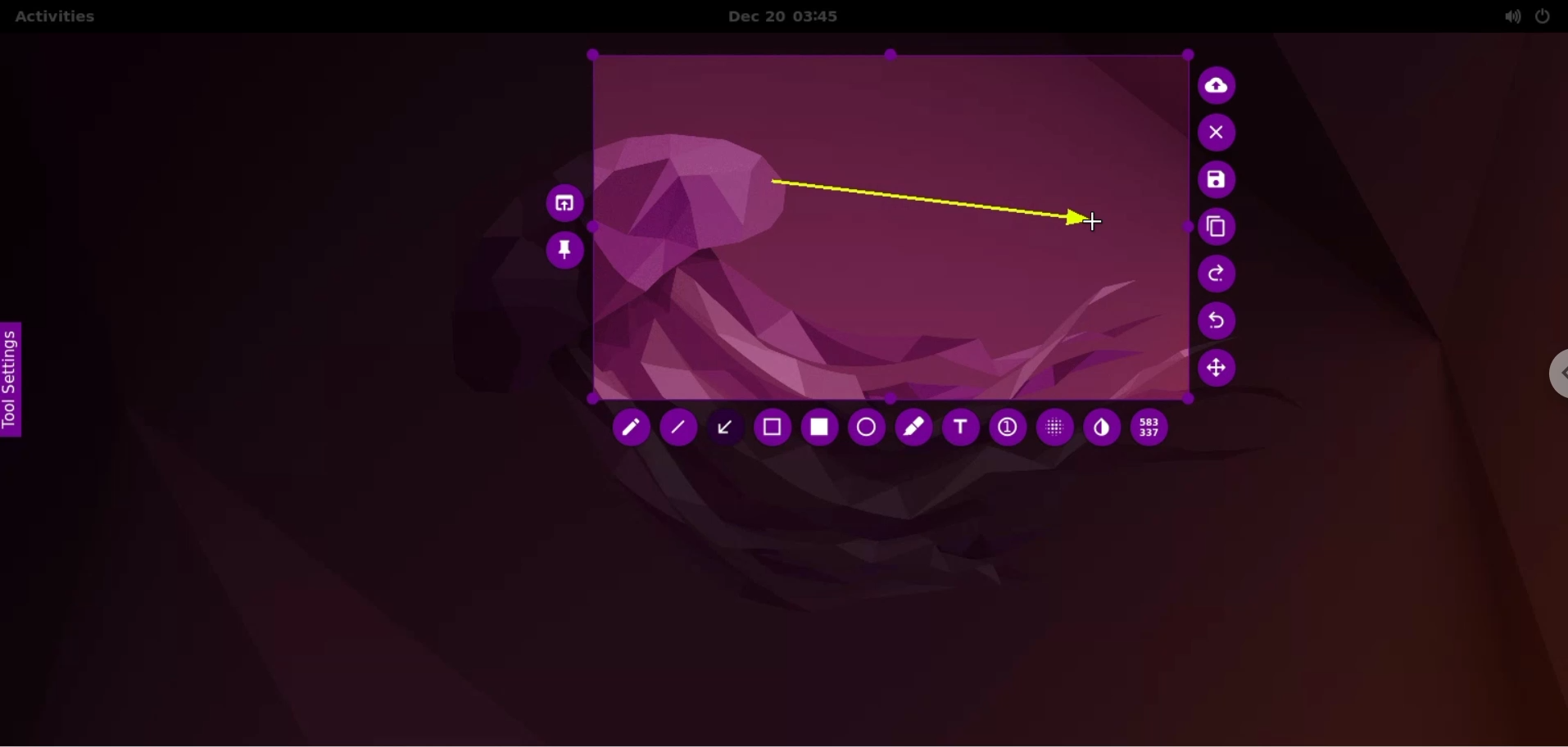 The image size is (1568, 747). I want to click on auto increment , so click(1006, 429).